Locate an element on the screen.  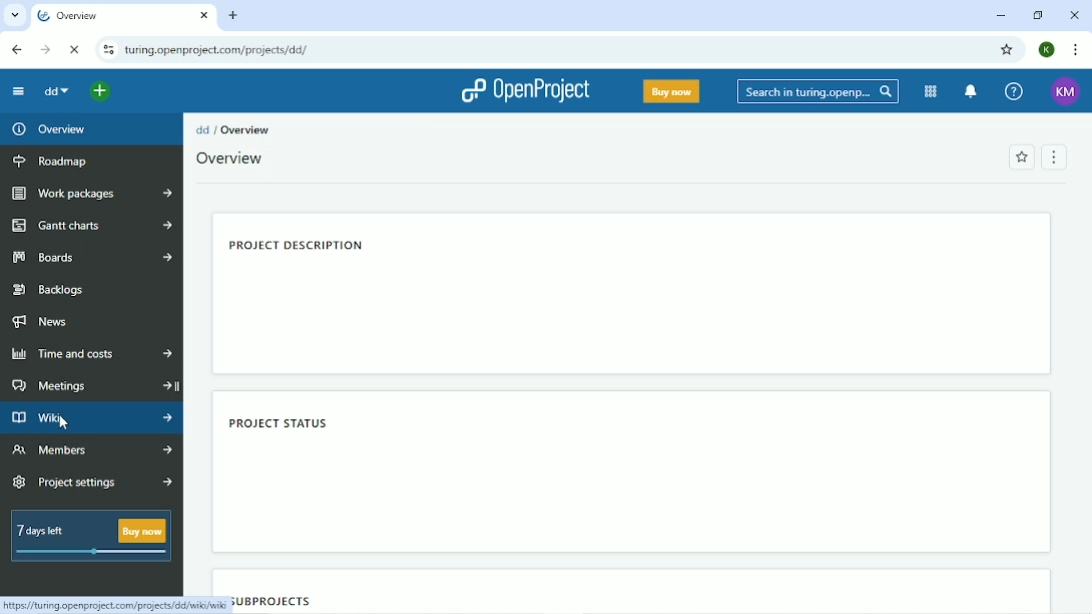
Work packages is located at coordinates (95, 193).